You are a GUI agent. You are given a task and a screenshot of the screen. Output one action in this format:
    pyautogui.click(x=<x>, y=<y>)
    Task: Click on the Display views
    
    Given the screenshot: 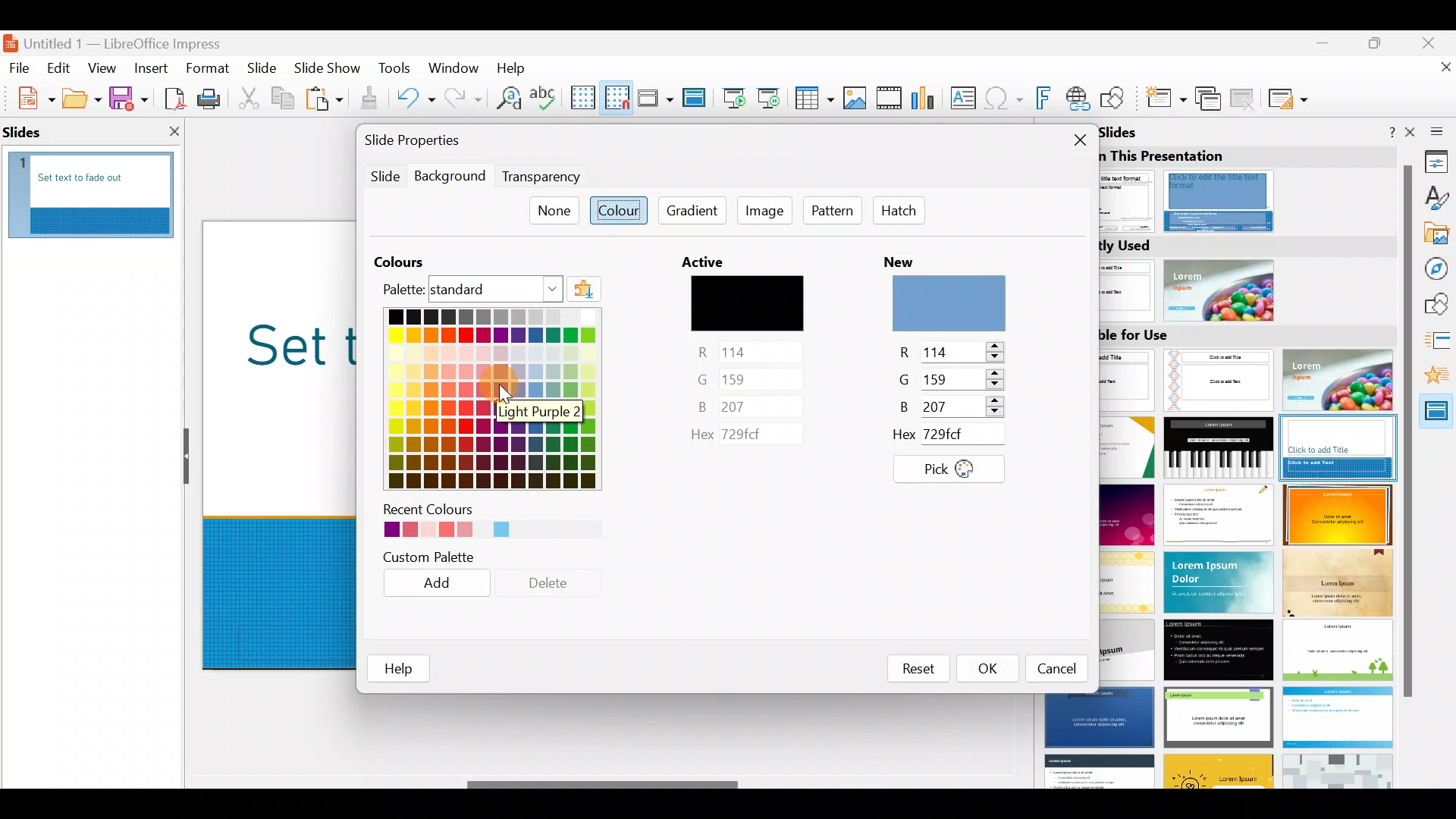 What is the action you would take?
    pyautogui.click(x=654, y=97)
    